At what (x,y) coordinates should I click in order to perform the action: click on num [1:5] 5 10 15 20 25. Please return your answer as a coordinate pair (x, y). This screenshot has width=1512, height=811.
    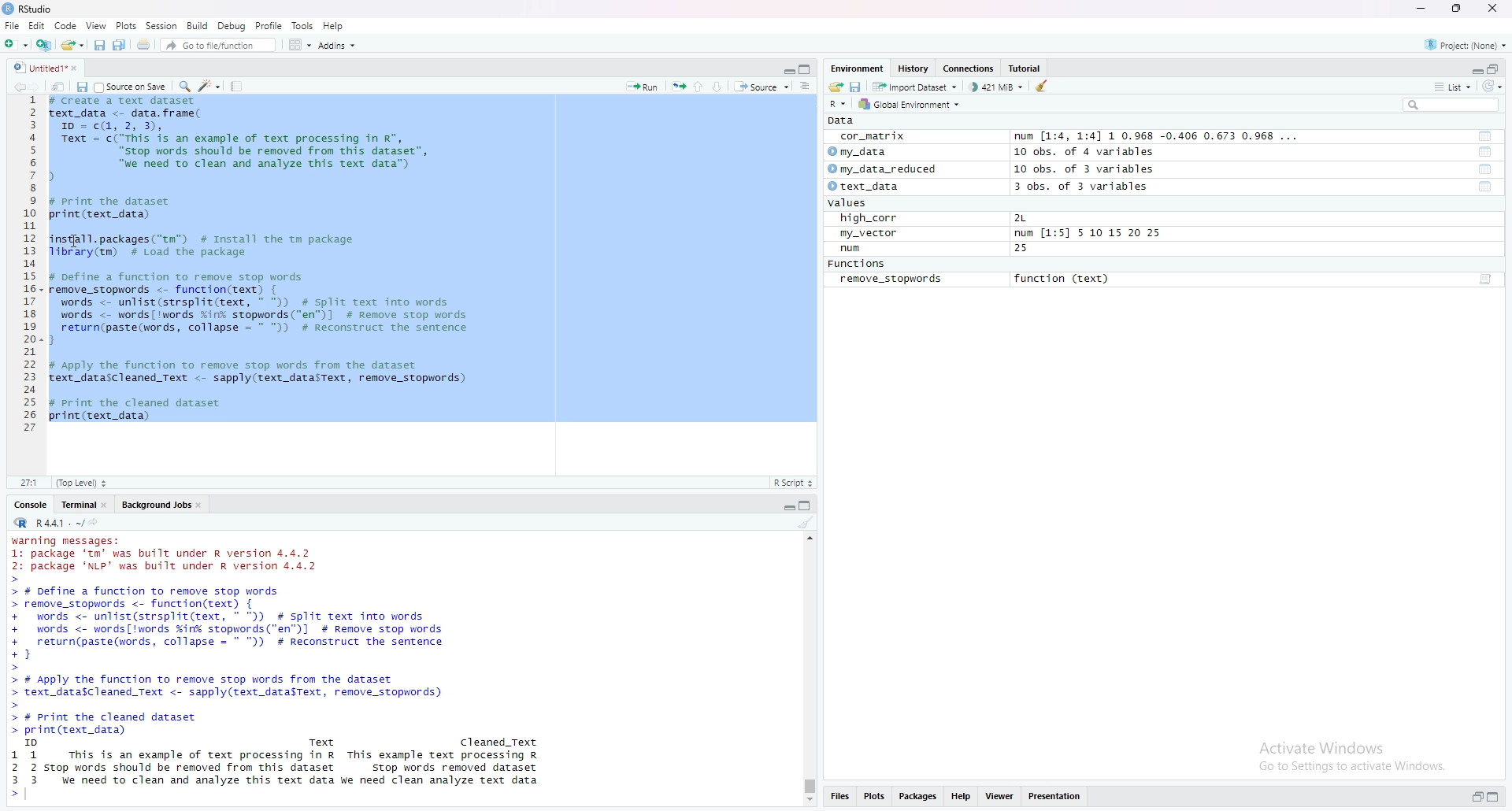
    Looking at the image, I should click on (1089, 233).